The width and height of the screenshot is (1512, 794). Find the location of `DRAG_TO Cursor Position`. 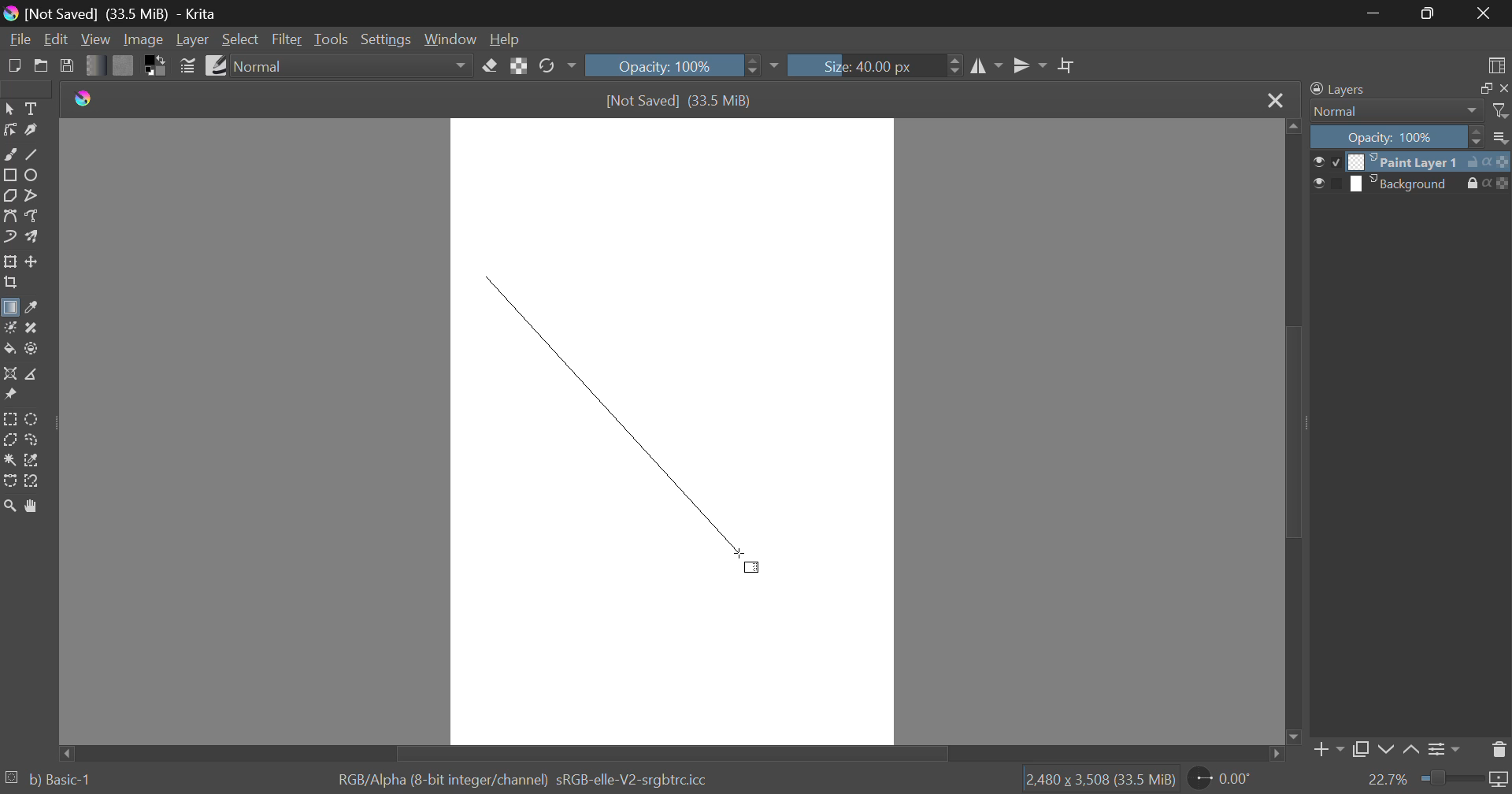

DRAG_TO Cursor Position is located at coordinates (761, 565).